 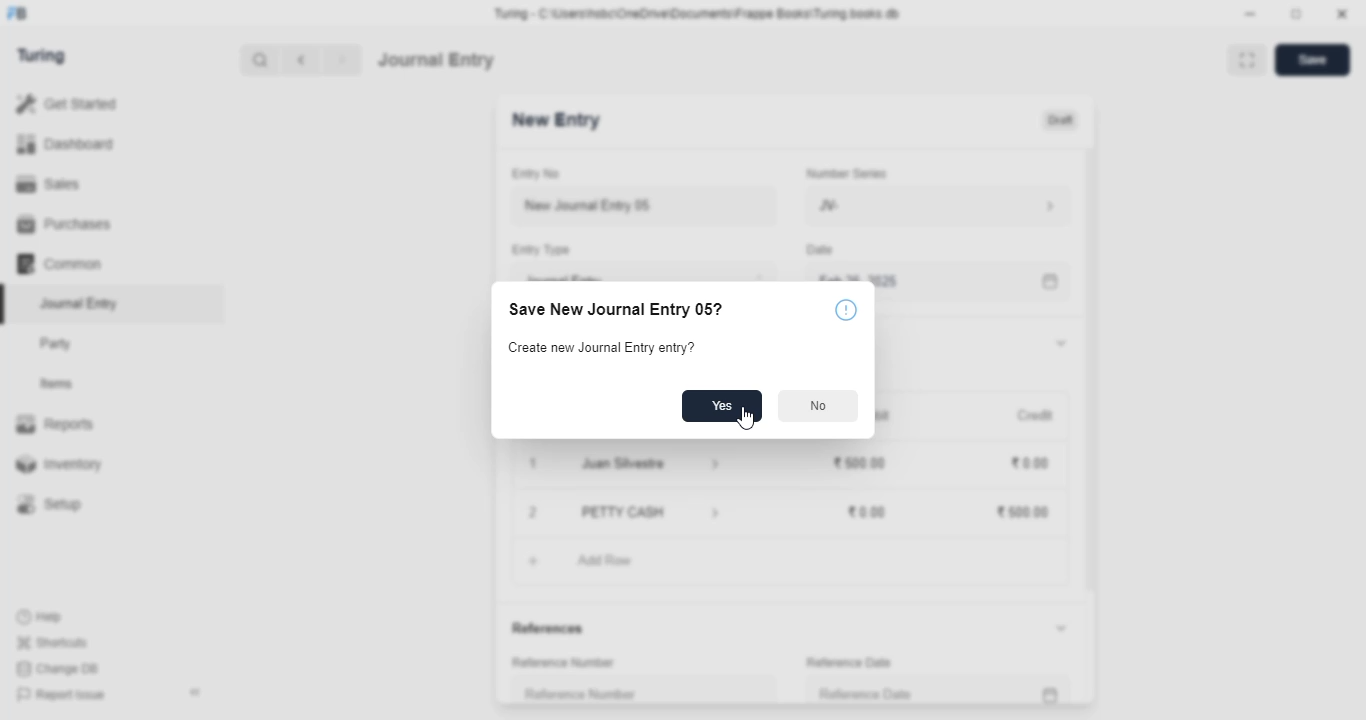 What do you see at coordinates (303, 60) in the screenshot?
I see `previous` at bounding box center [303, 60].